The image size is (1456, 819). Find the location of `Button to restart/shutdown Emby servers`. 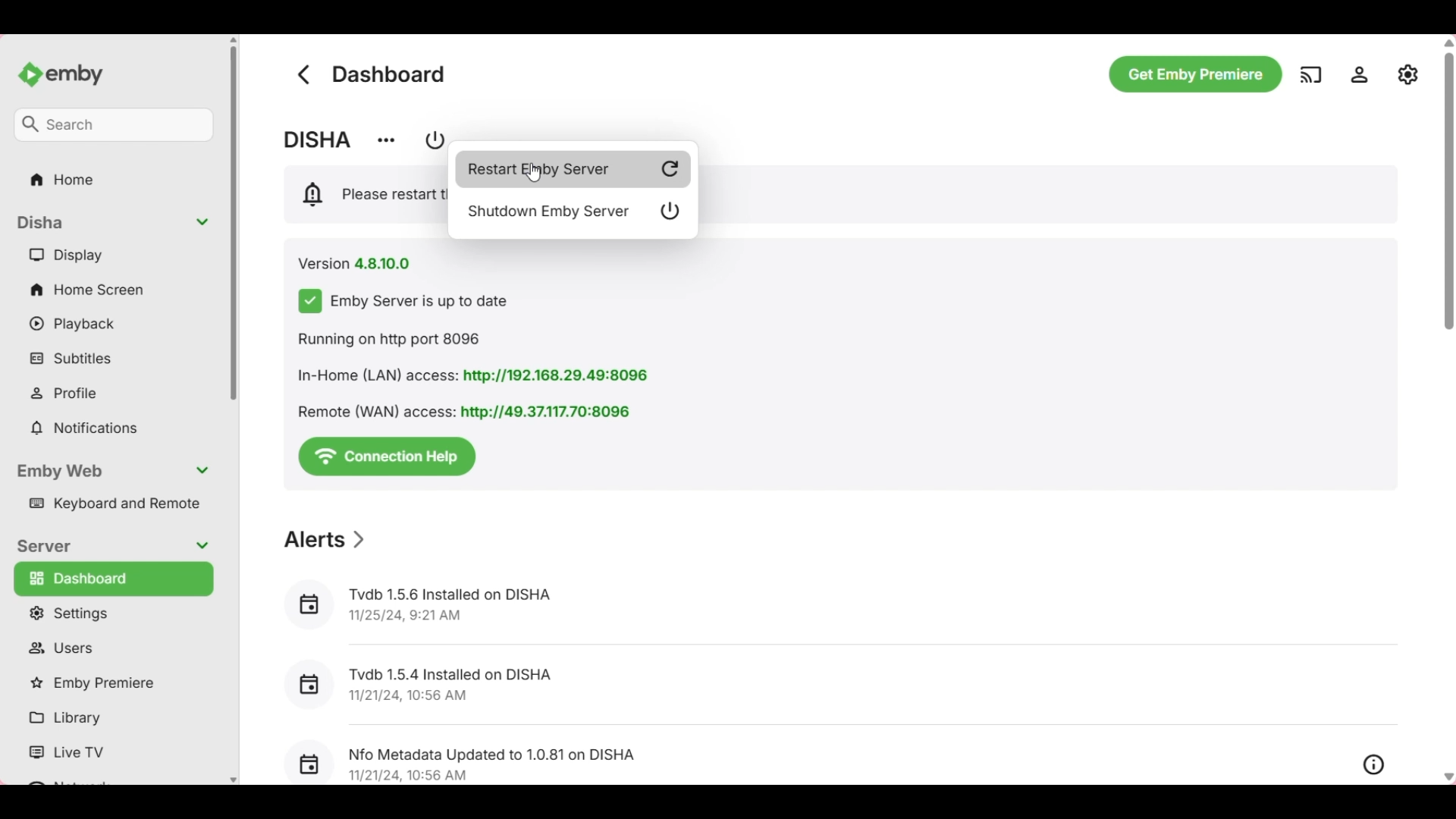

Button to restart/shutdown Emby servers is located at coordinates (431, 140).